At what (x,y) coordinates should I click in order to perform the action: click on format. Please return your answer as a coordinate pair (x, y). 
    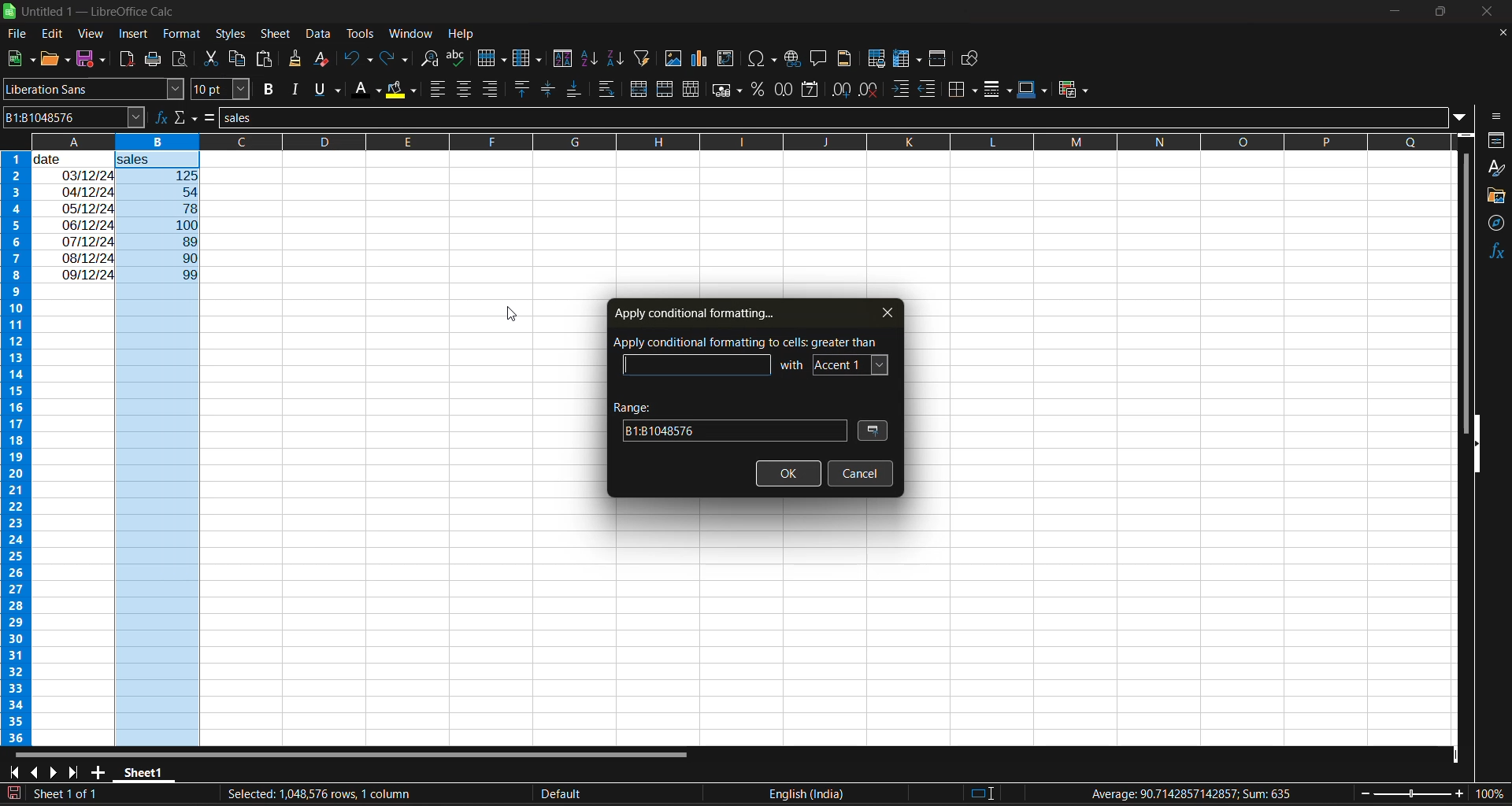
    Looking at the image, I should click on (178, 32).